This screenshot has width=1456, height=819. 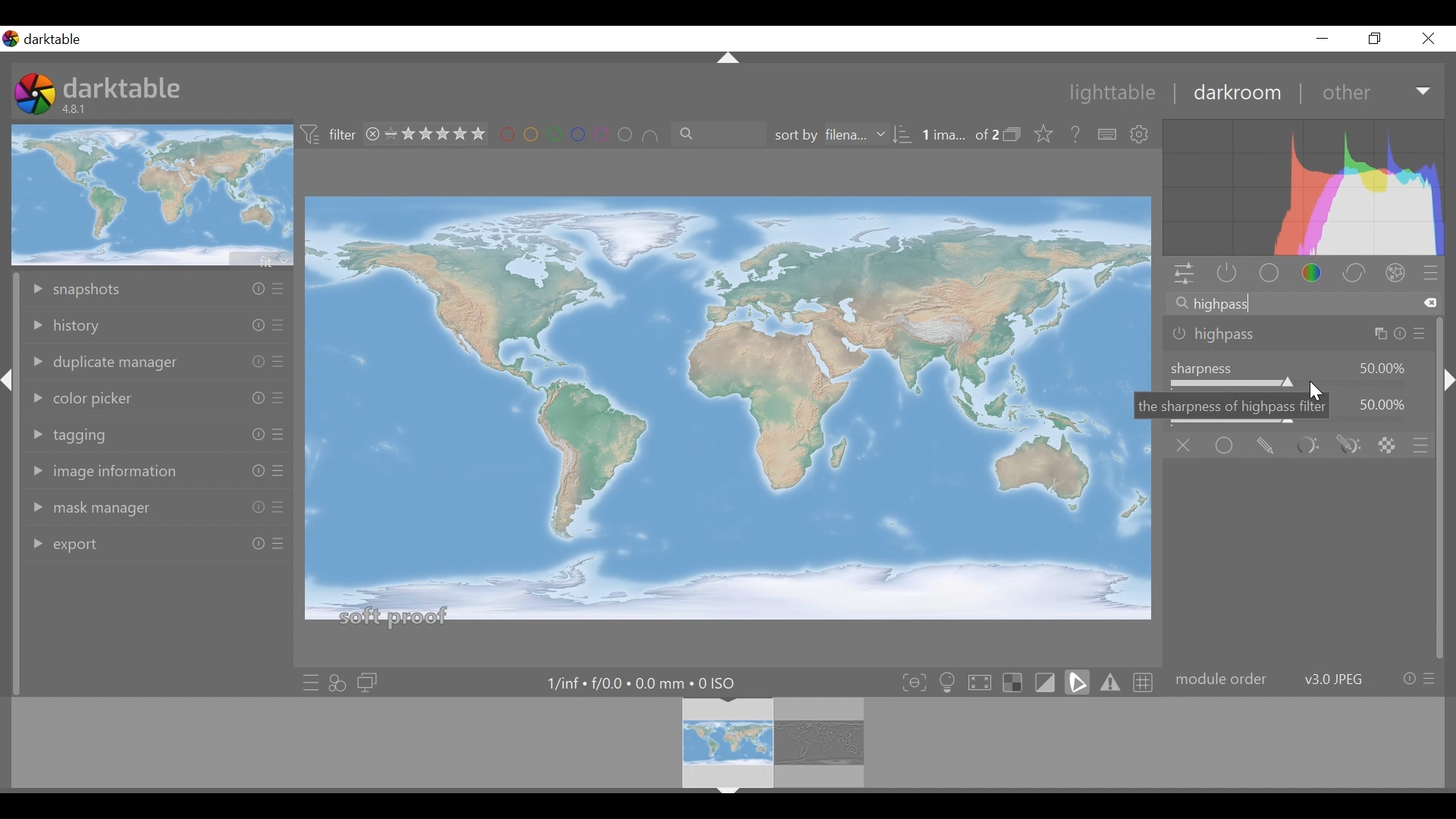 I want to click on icon, so click(x=1012, y=133).